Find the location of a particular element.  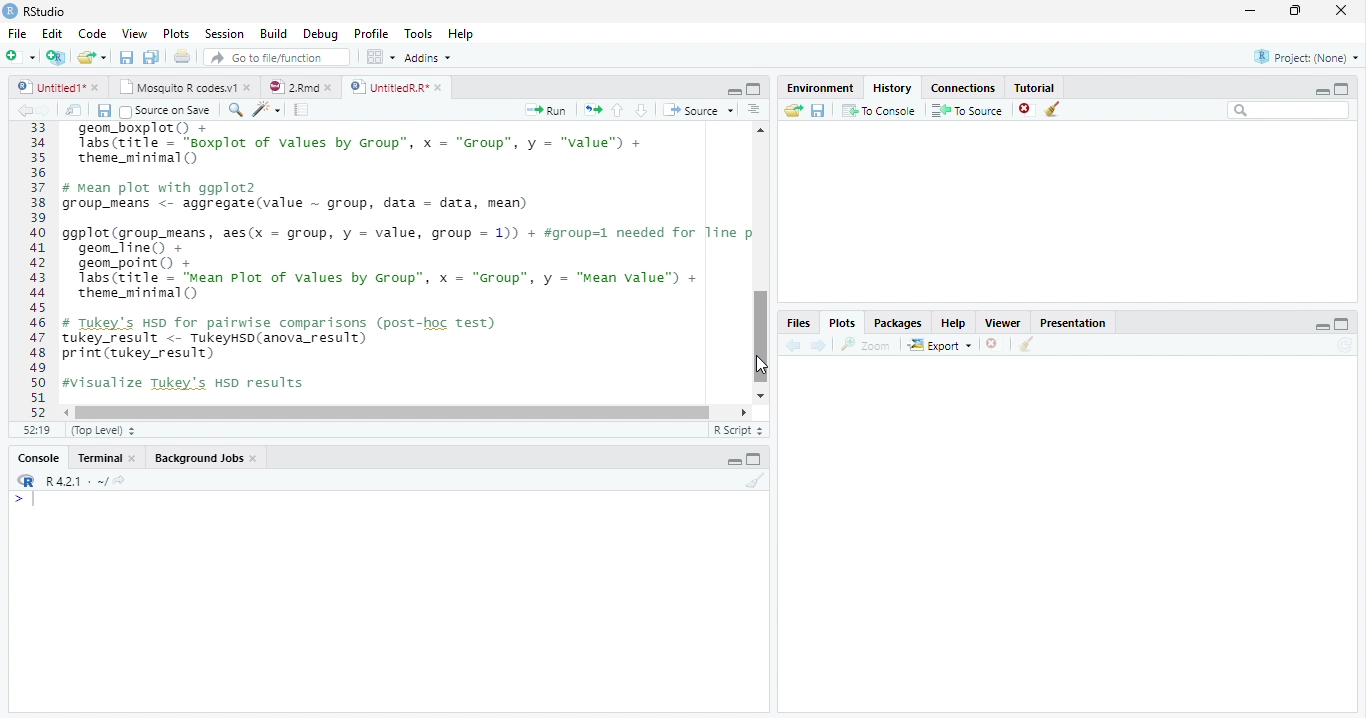

Help is located at coordinates (460, 36).